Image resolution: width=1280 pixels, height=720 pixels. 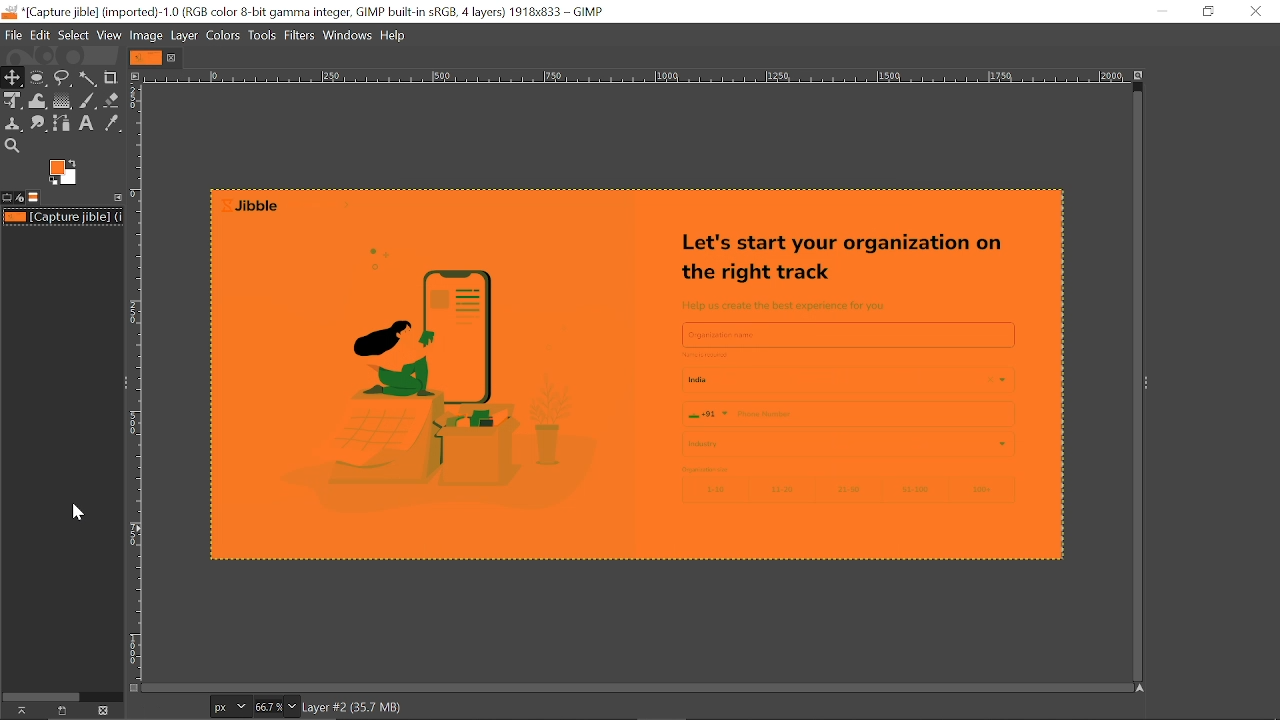 I want to click on Restore down, so click(x=1207, y=12).